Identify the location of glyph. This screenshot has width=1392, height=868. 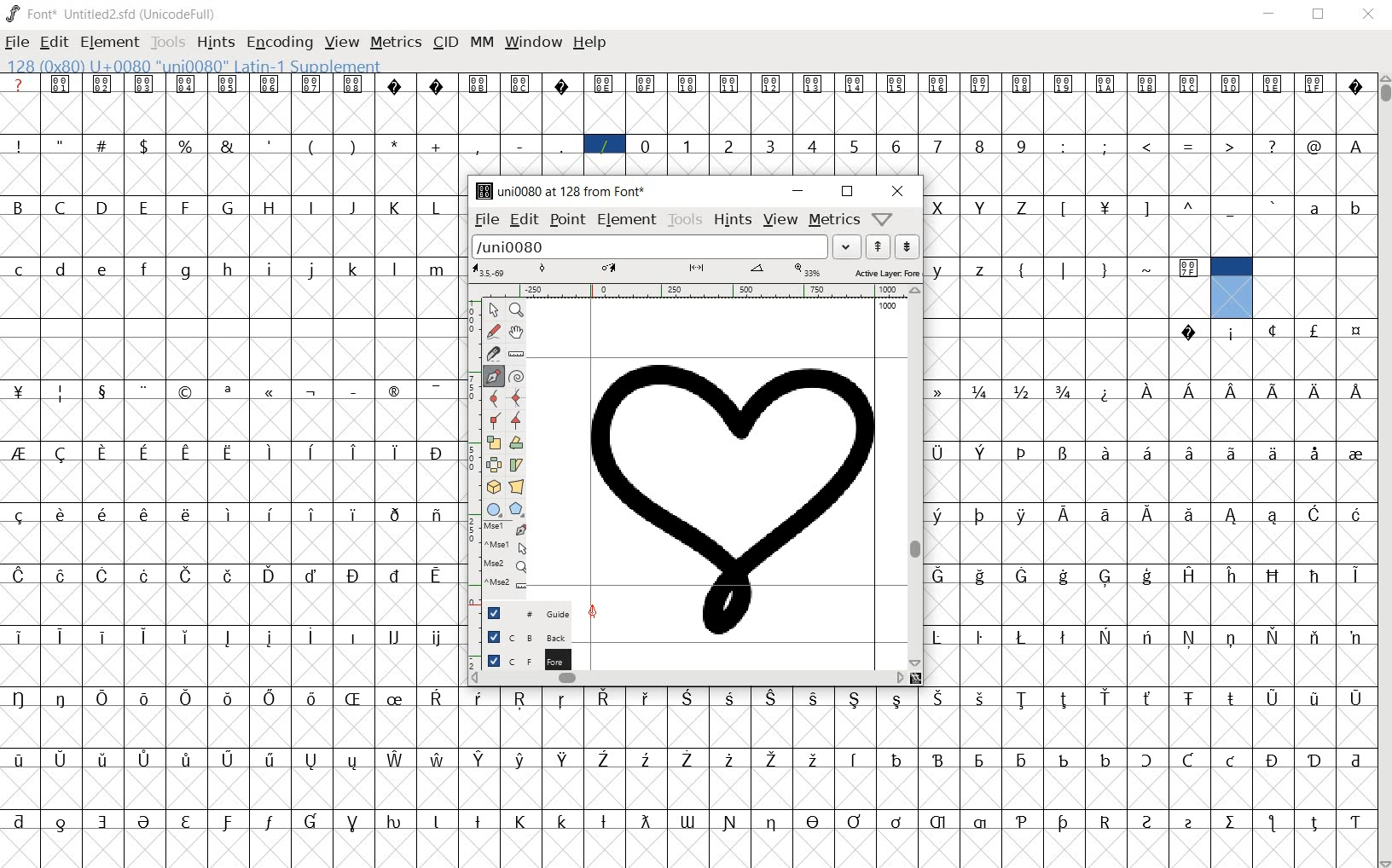
(980, 392).